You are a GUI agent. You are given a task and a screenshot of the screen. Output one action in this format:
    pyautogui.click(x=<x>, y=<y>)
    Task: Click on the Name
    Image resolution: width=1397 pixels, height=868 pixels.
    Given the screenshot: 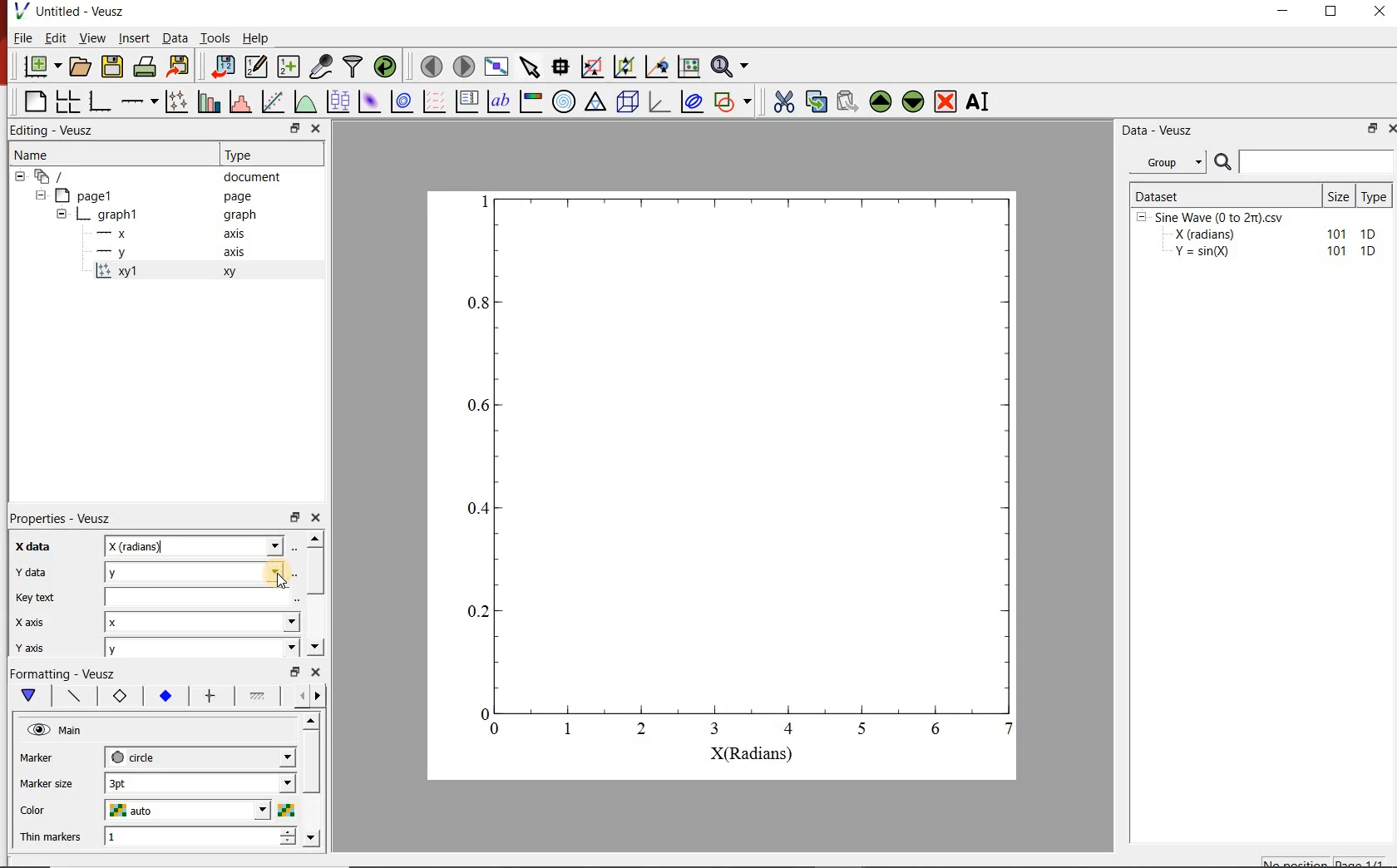 What is the action you would take?
    pyautogui.click(x=30, y=153)
    